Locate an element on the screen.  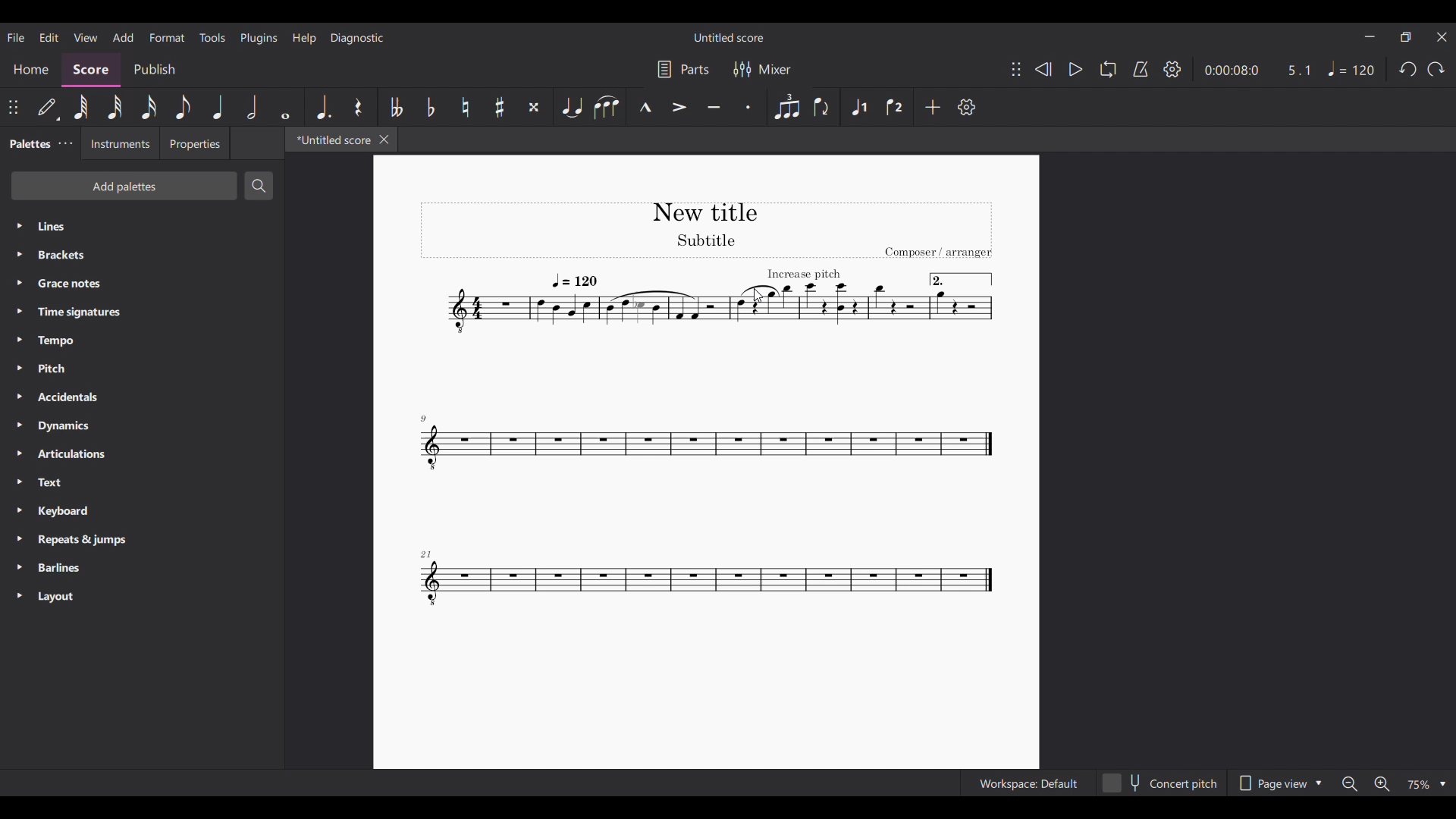
64th note is located at coordinates (82, 108).